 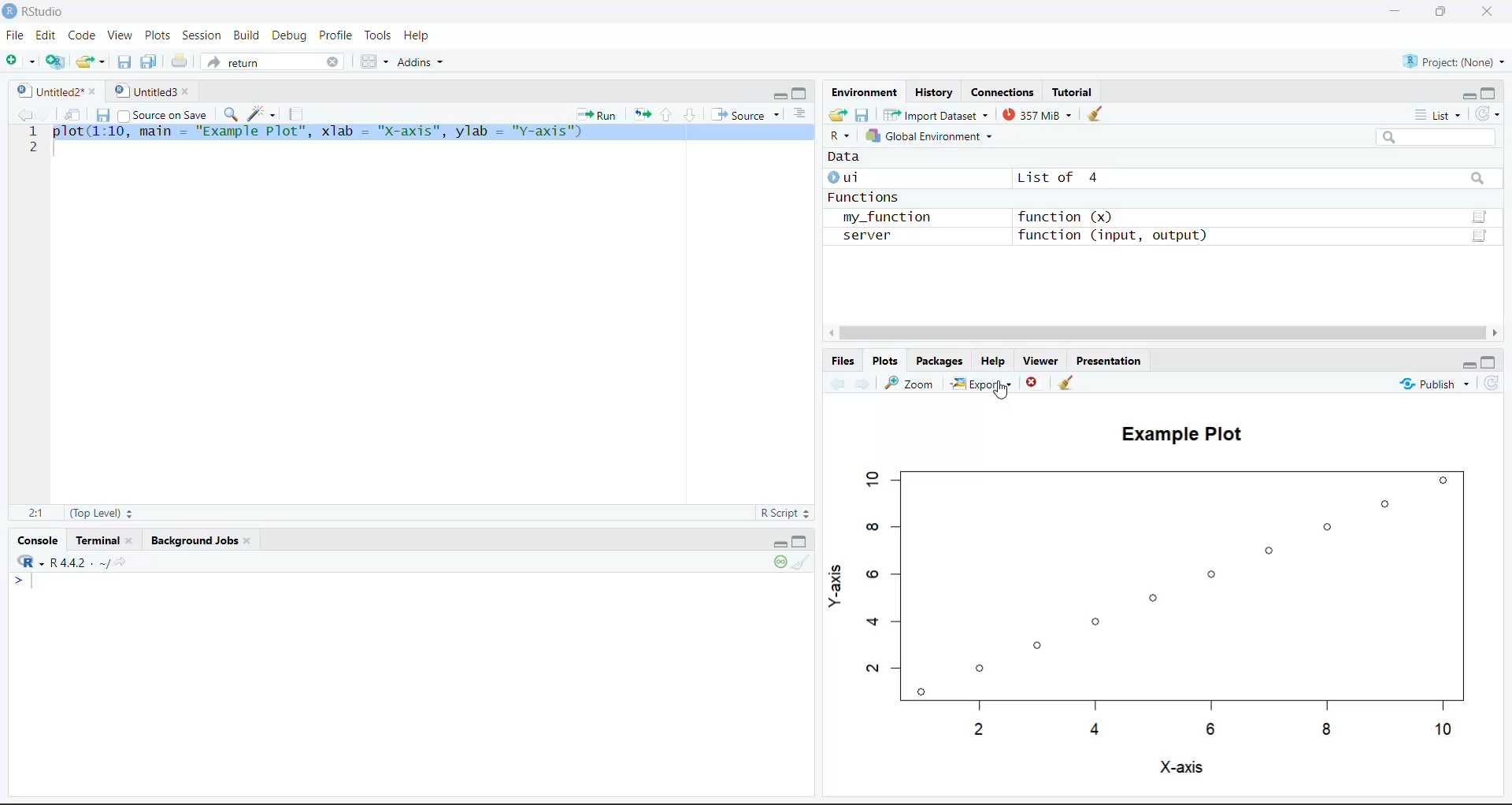 What do you see at coordinates (35, 512) in the screenshot?
I see `2:1` at bounding box center [35, 512].